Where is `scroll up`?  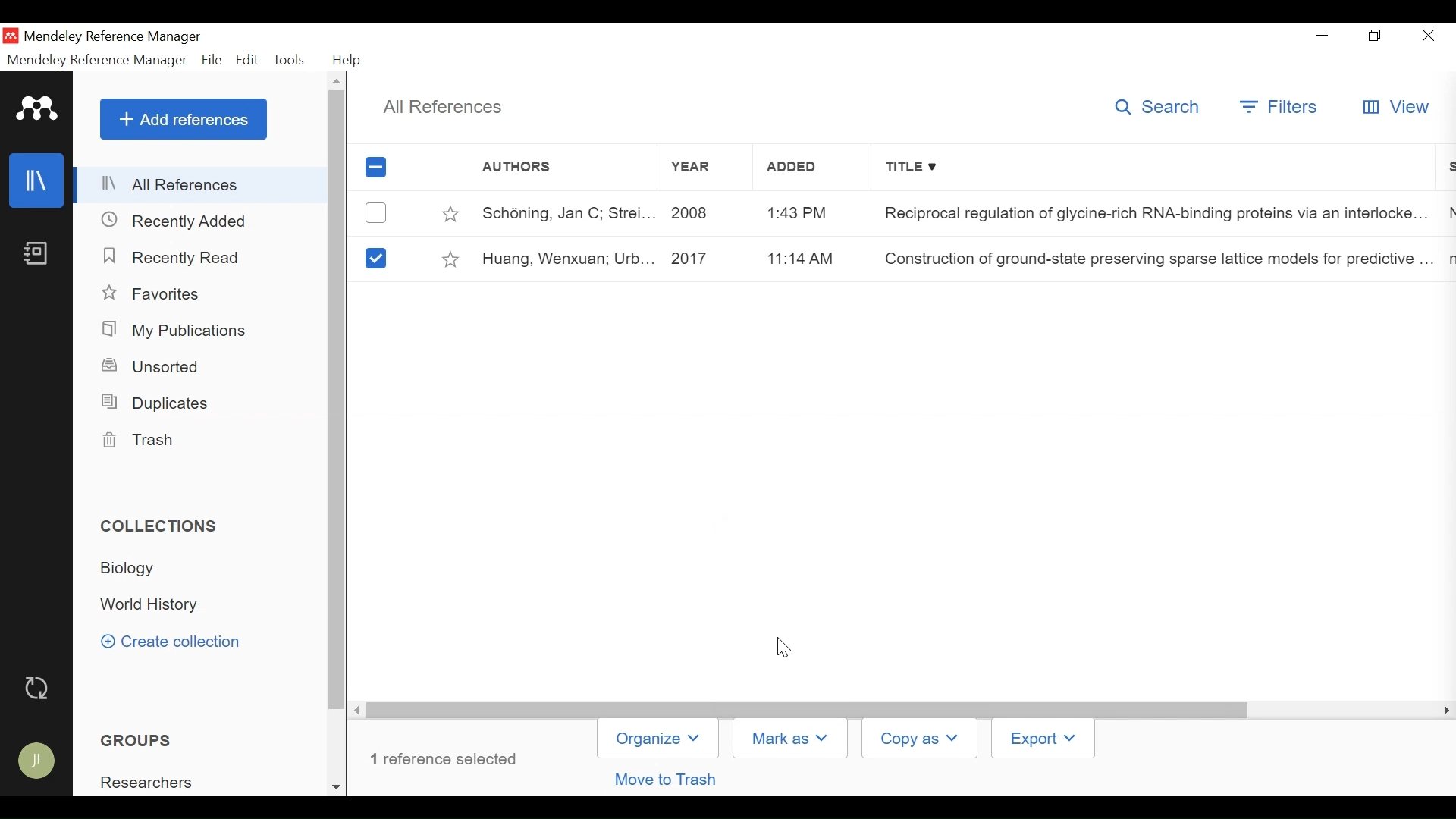
scroll up is located at coordinates (338, 81).